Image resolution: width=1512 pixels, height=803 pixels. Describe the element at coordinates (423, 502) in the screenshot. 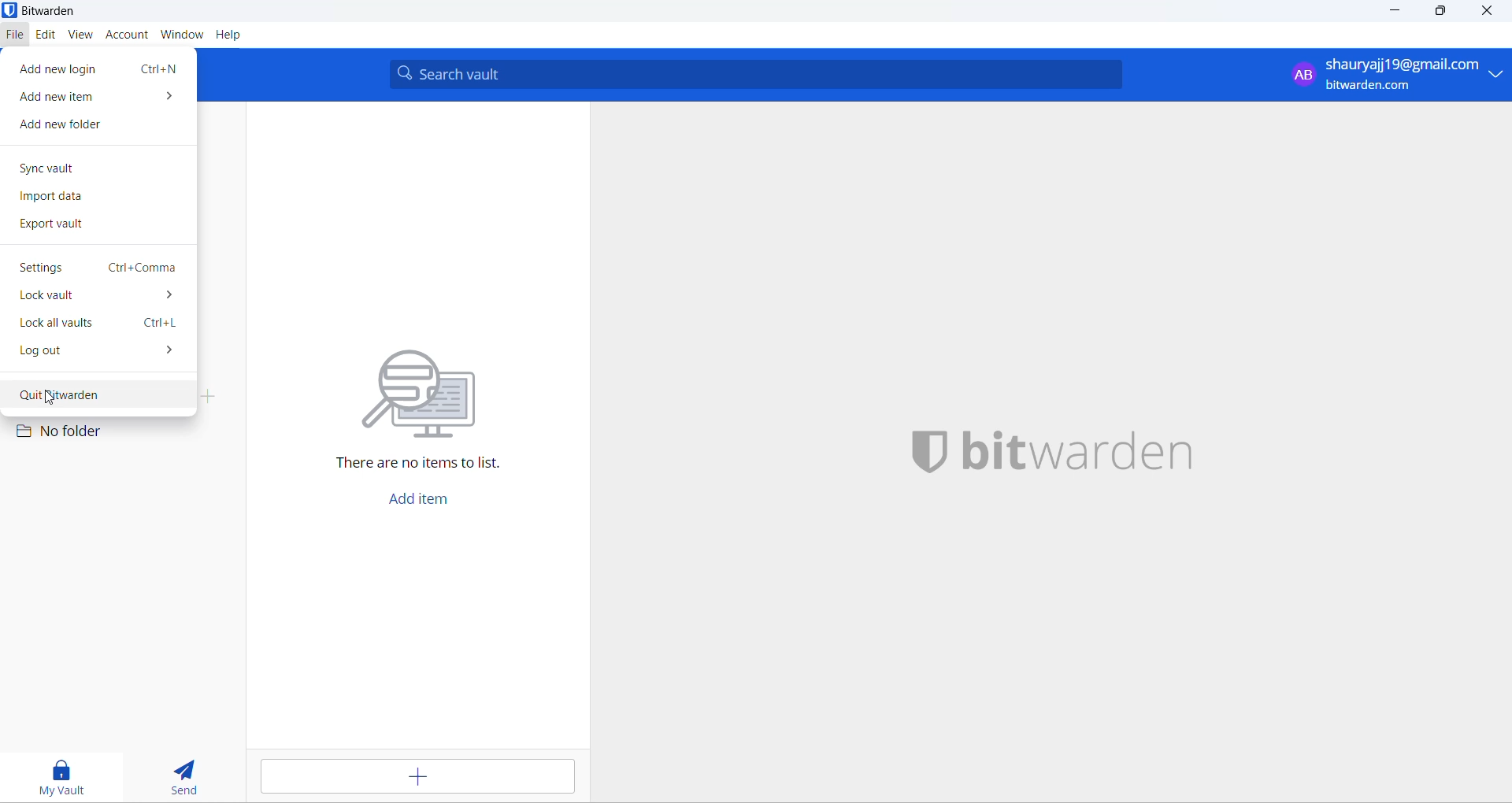

I see `add item button` at that location.